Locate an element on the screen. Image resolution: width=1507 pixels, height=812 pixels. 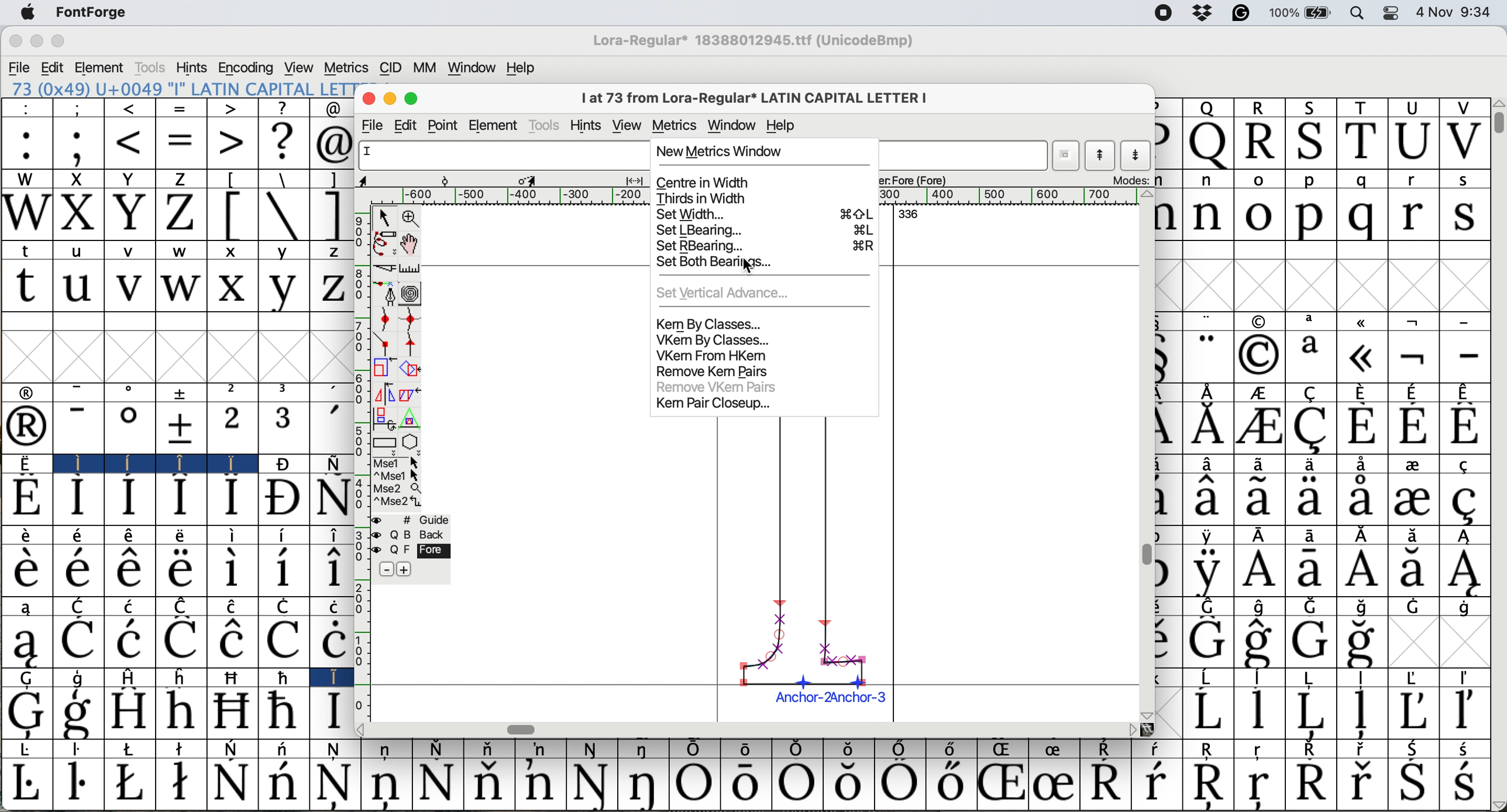
 is located at coordinates (1498, 102).